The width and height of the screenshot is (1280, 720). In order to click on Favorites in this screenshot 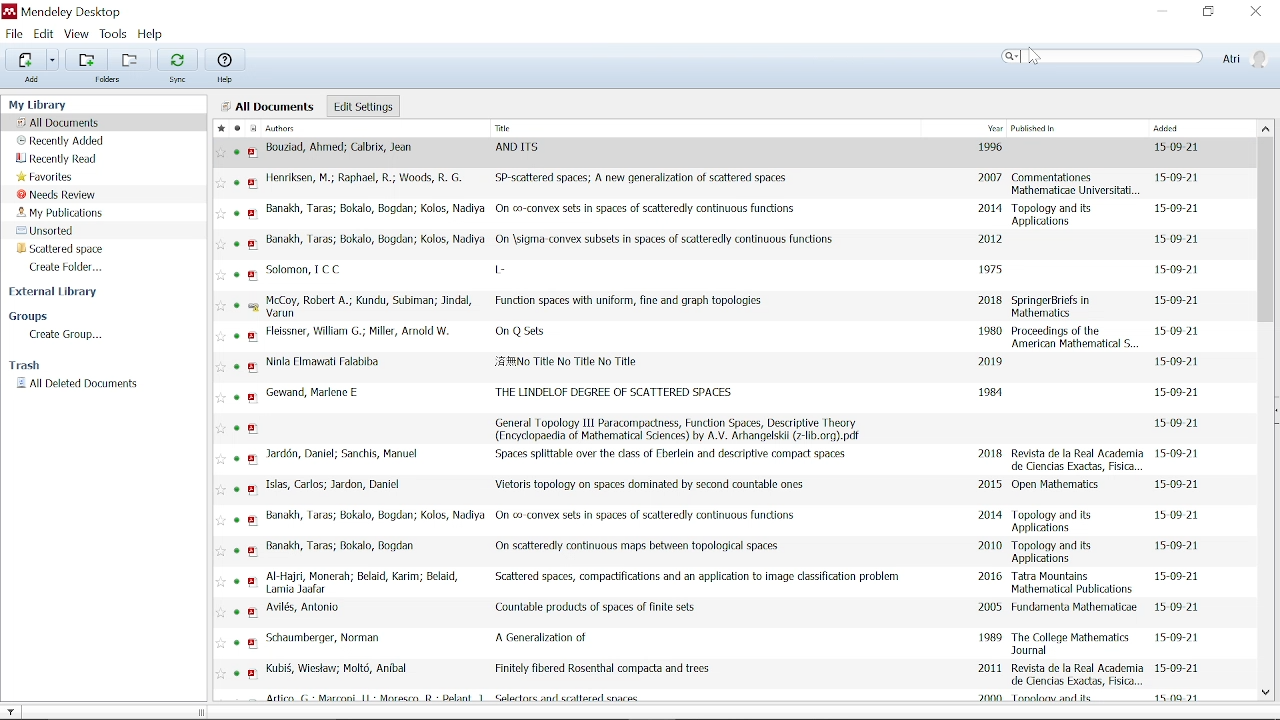, I will do `click(51, 177)`.